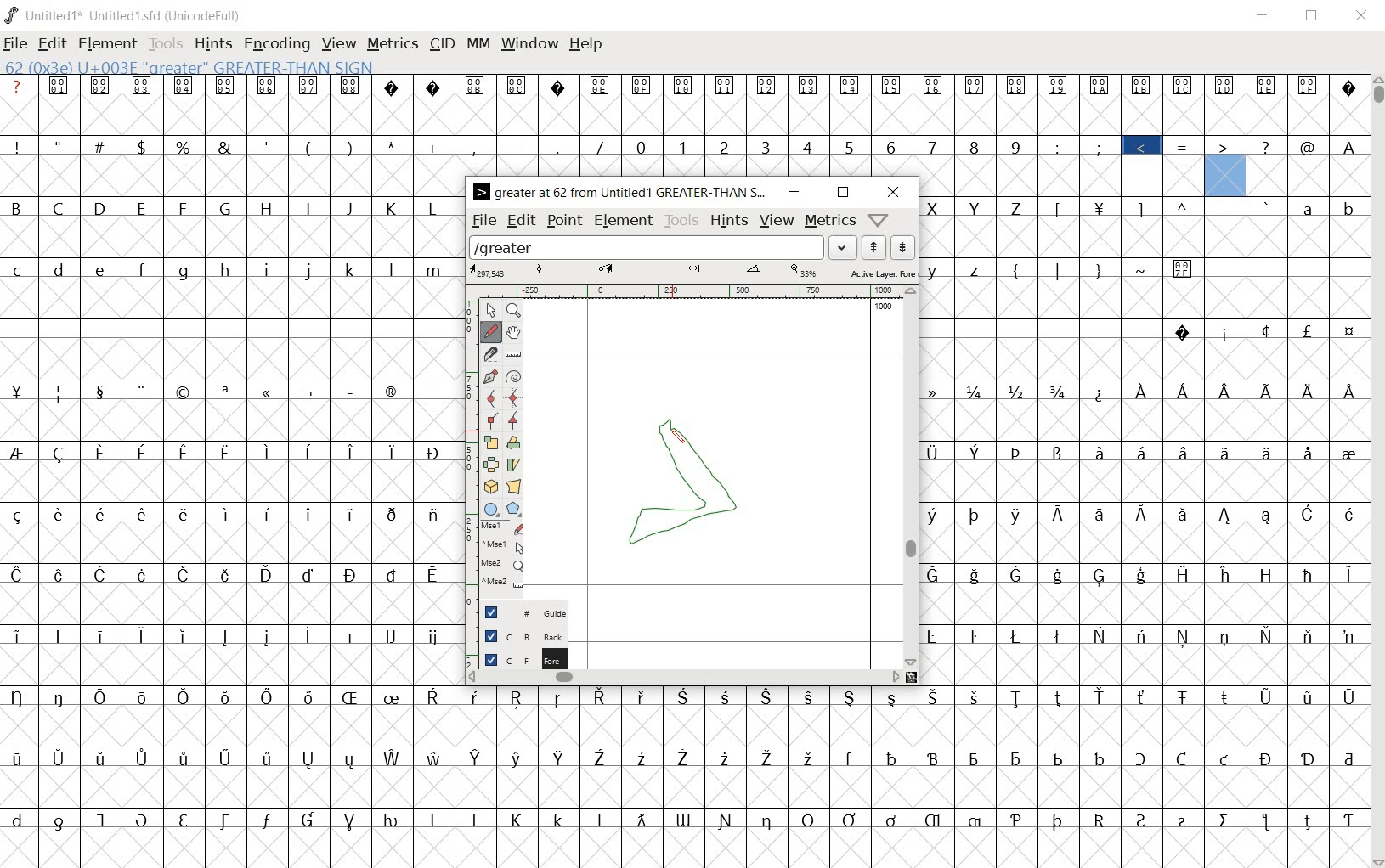 This screenshot has height=868, width=1385. I want to click on Add a corner point, so click(492, 420).